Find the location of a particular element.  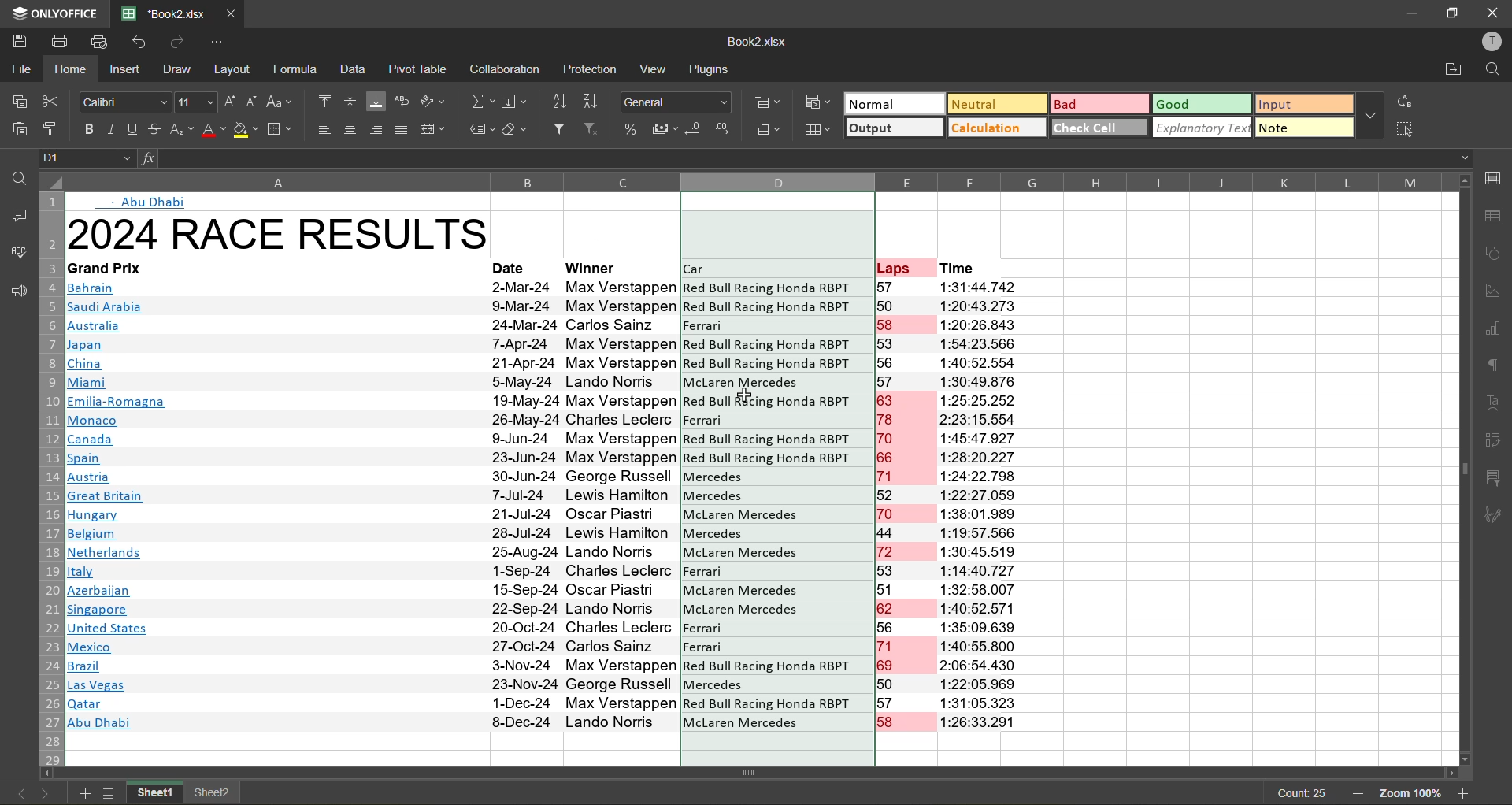

paragraph is located at coordinates (1499, 367).